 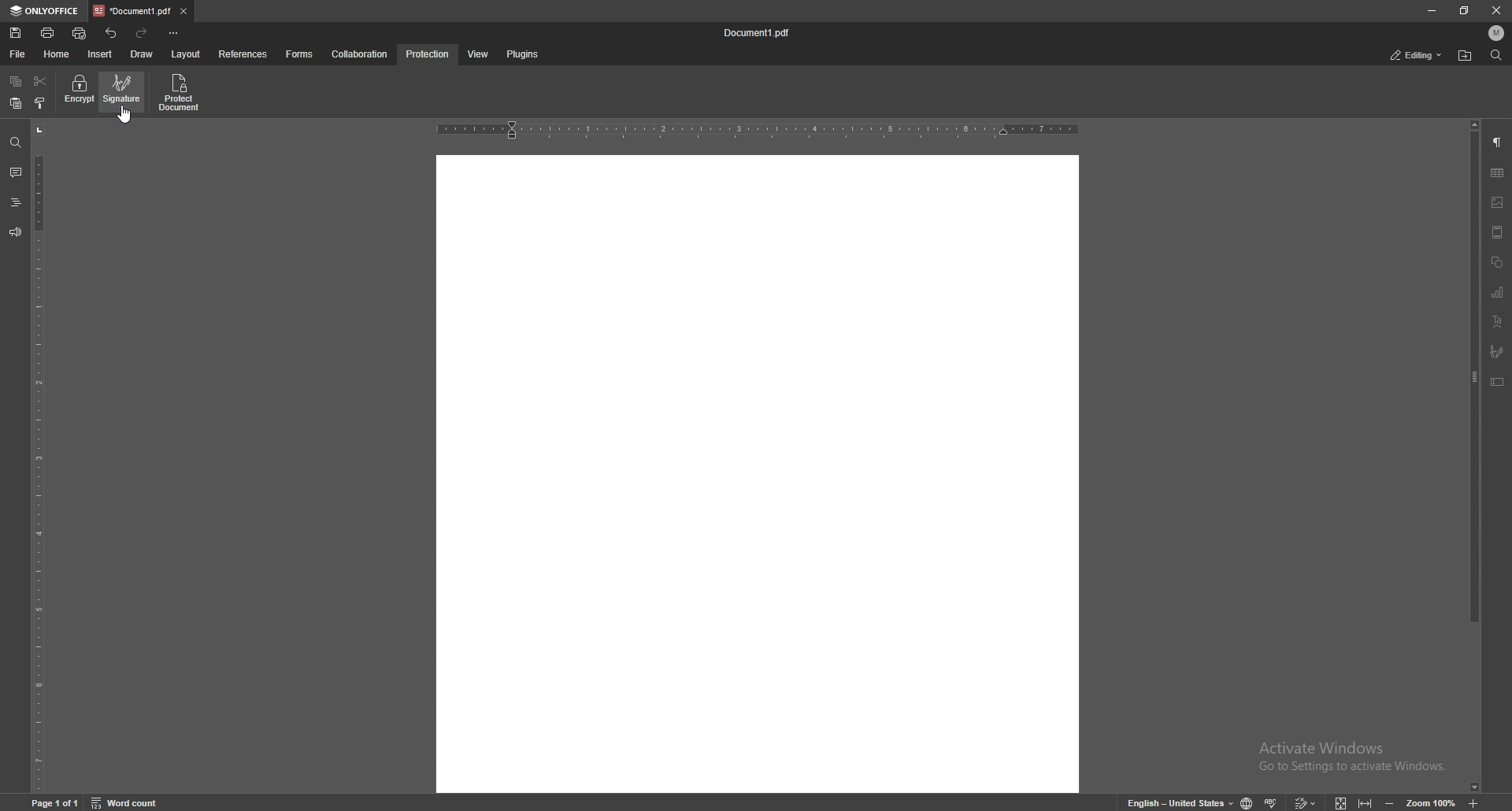 What do you see at coordinates (57, 802) in the screenshot?
I see `page` at bounding box center [57, 802].